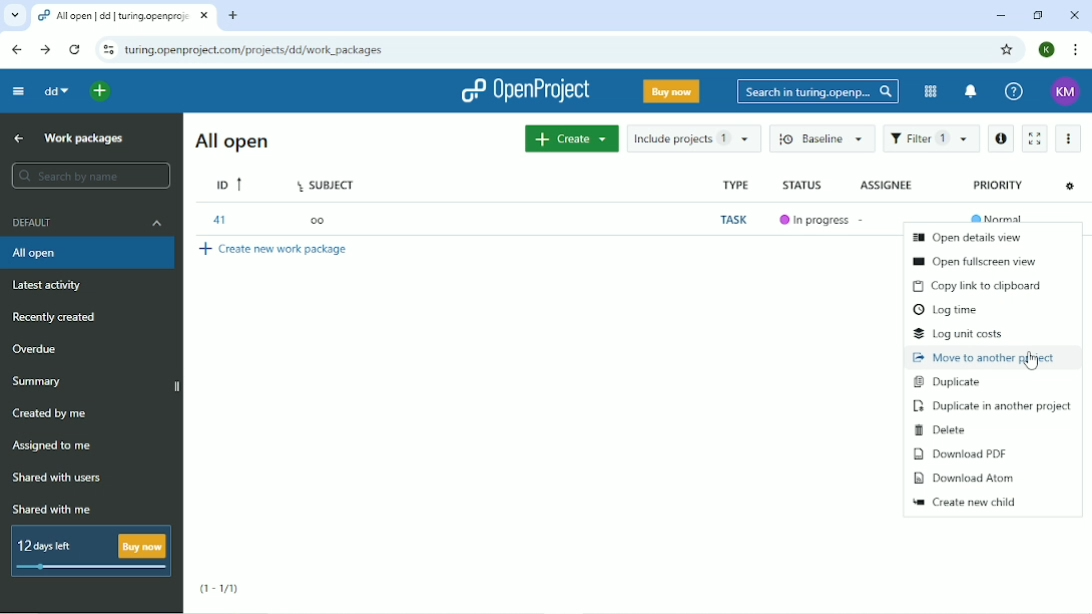  What do you see at coordinates (964, 502) in the screenshot?
I see `Create new child` at bounding box center [964, 502].